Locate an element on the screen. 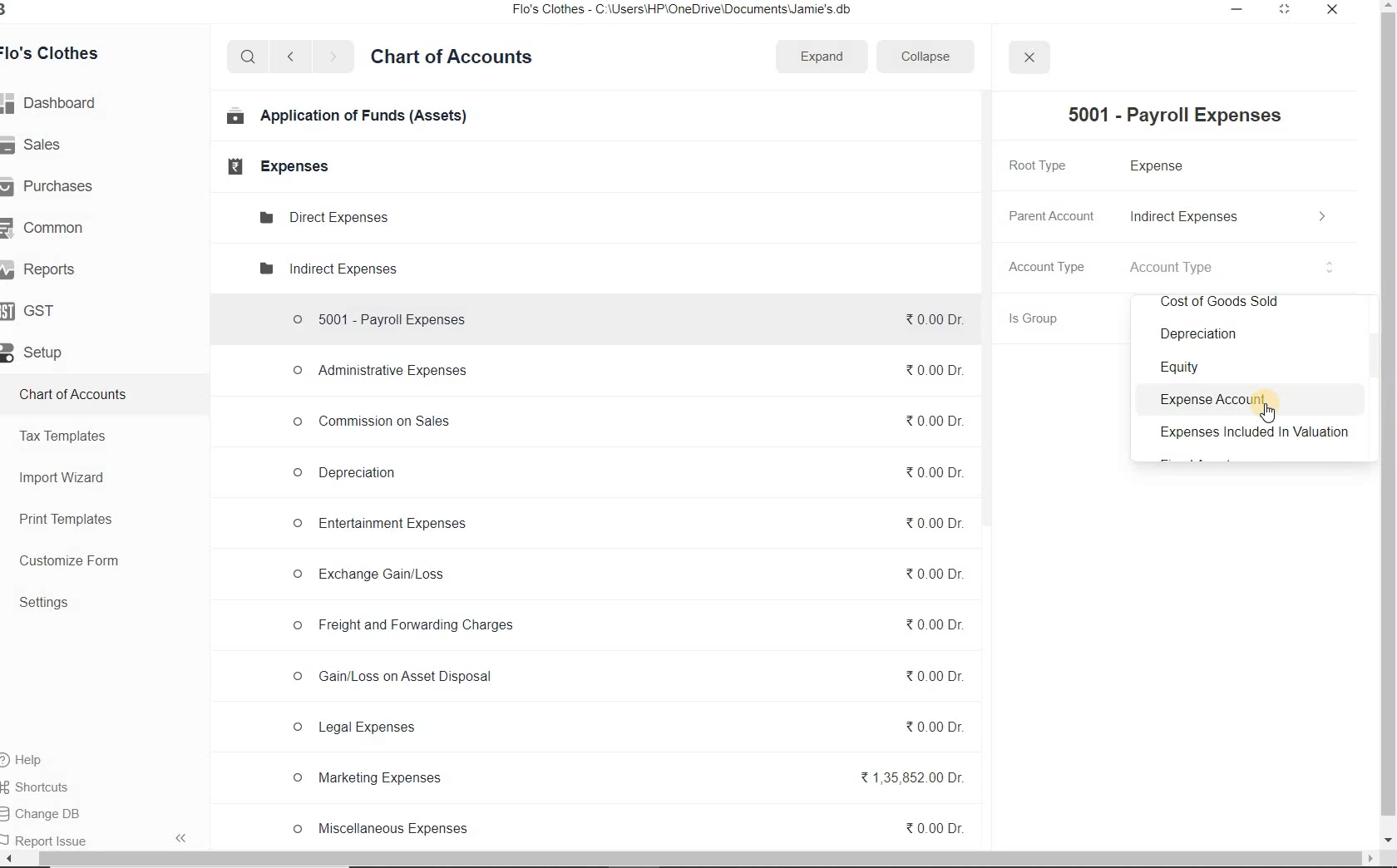 The width and height of the screenshot is (1397, 868). Indirect expenses is located at coordinates (326, 269).